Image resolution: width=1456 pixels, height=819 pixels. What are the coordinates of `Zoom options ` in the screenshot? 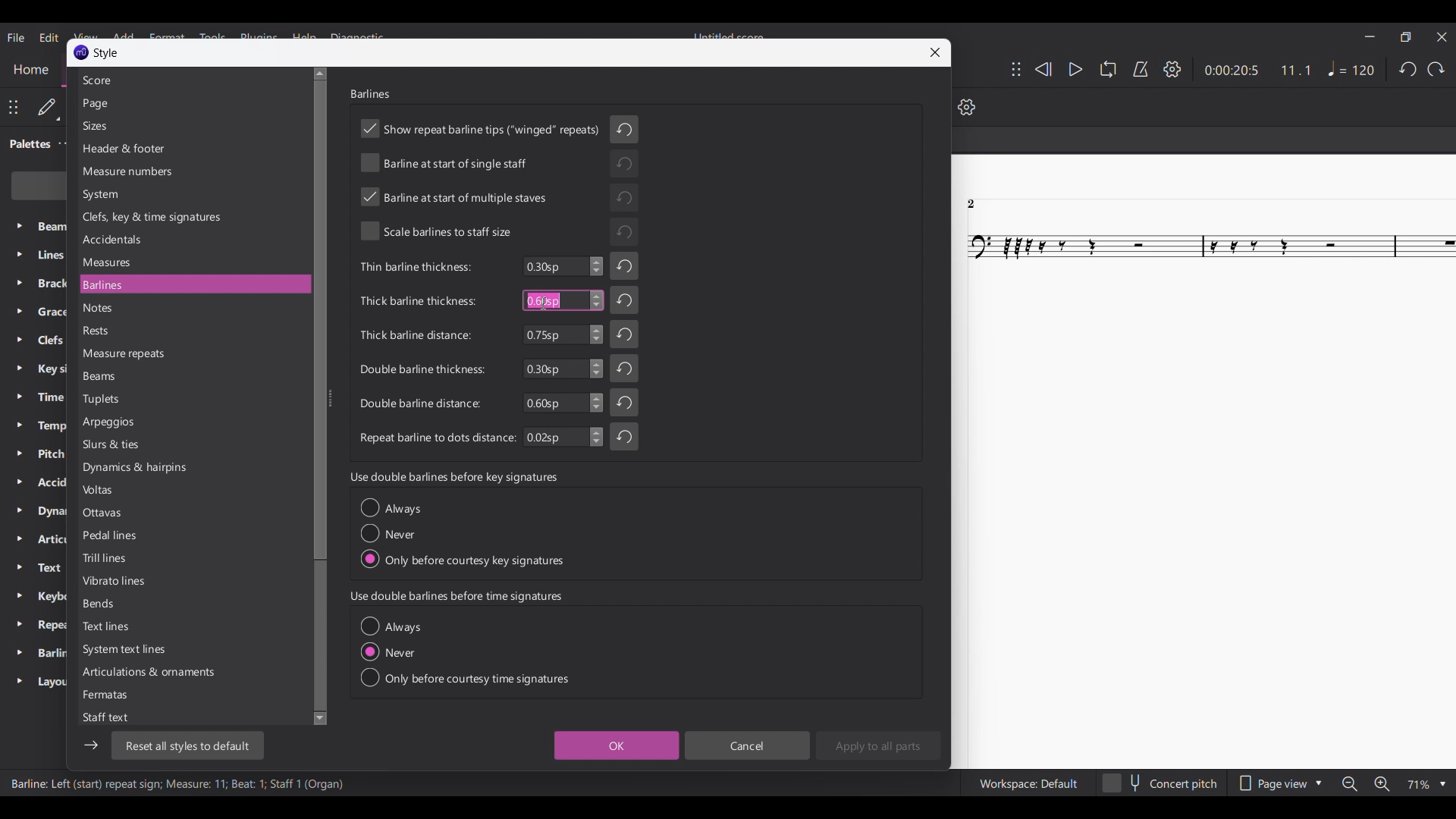 It's located at (1426, 785).